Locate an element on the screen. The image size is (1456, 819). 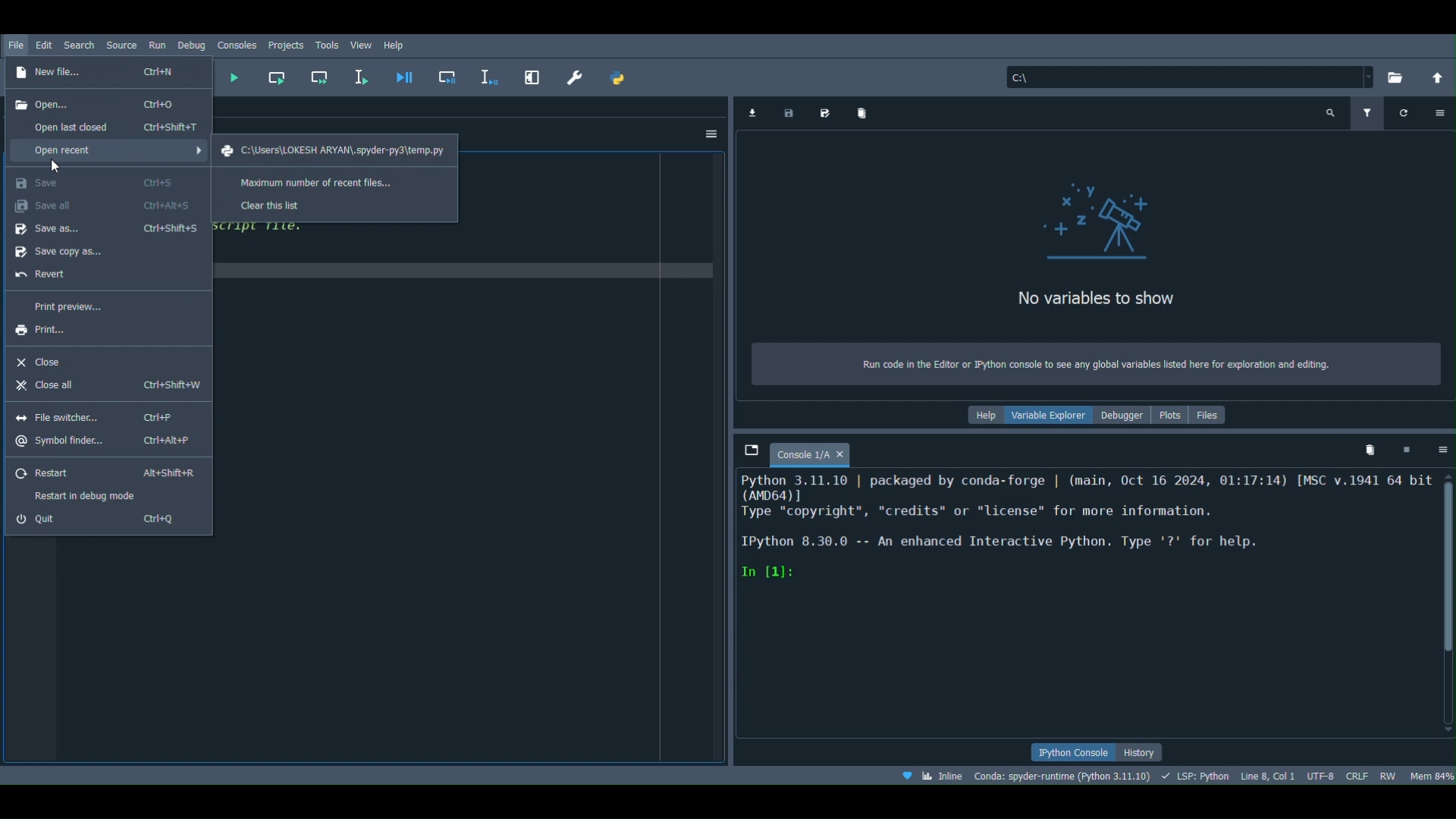
Debug selection or current line is located at coordinates (486, 75).